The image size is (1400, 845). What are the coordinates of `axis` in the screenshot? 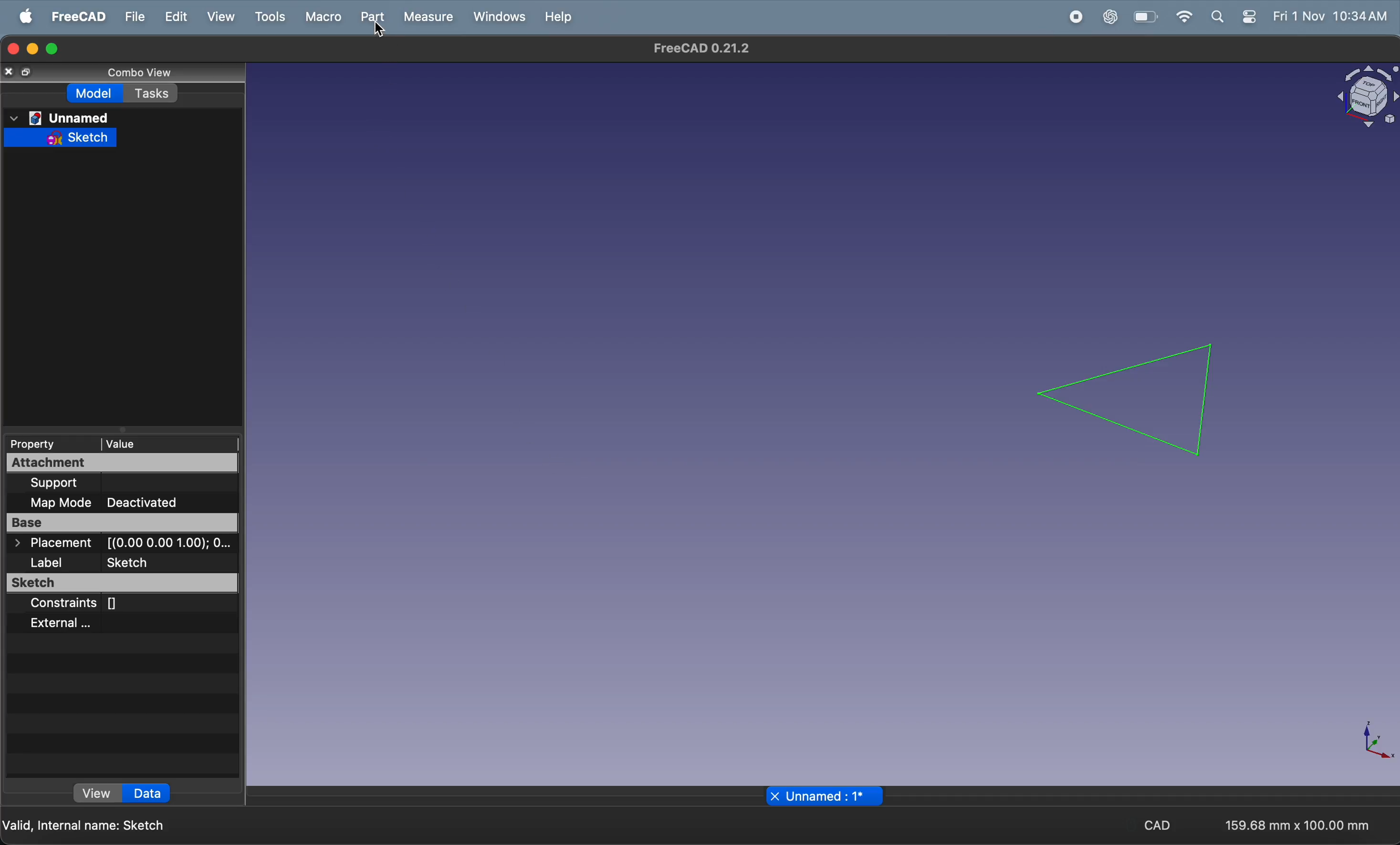 It's located at (1380, 743).